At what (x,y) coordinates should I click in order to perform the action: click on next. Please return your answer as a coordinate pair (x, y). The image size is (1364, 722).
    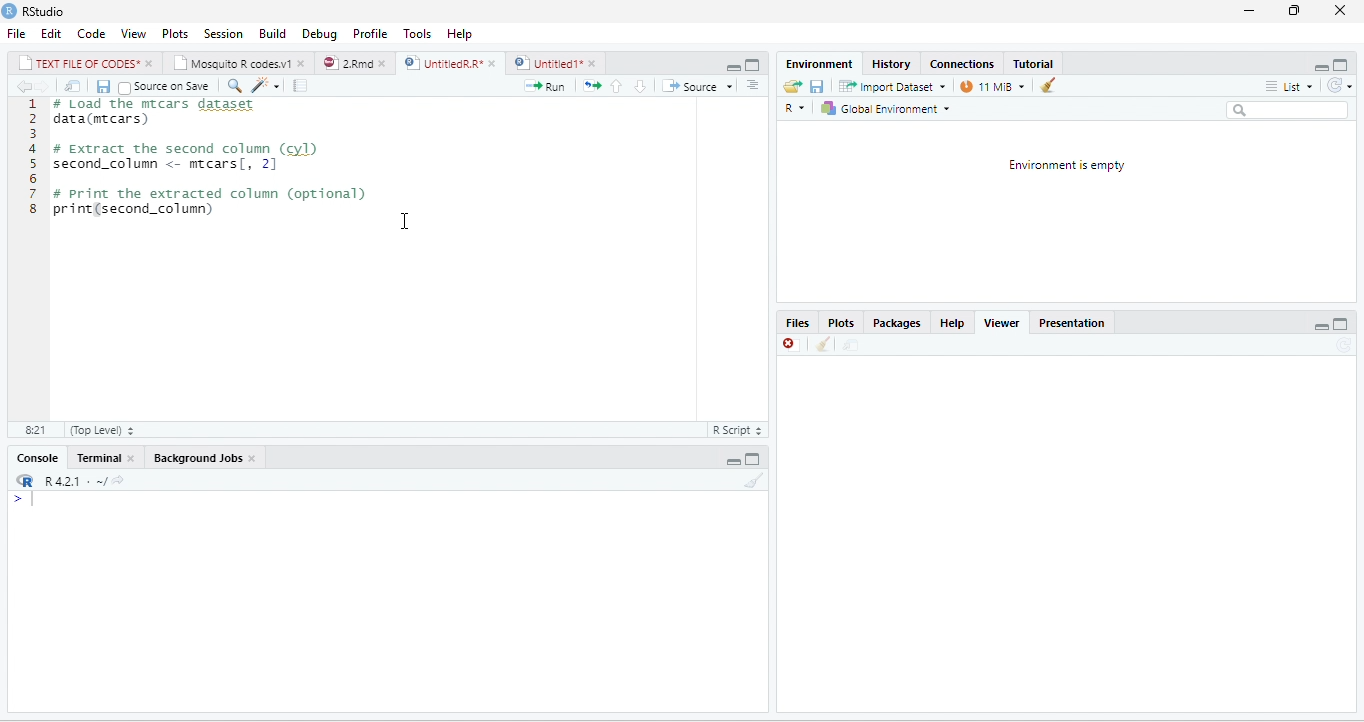
    Looking at the image, I should click on (46, 87).